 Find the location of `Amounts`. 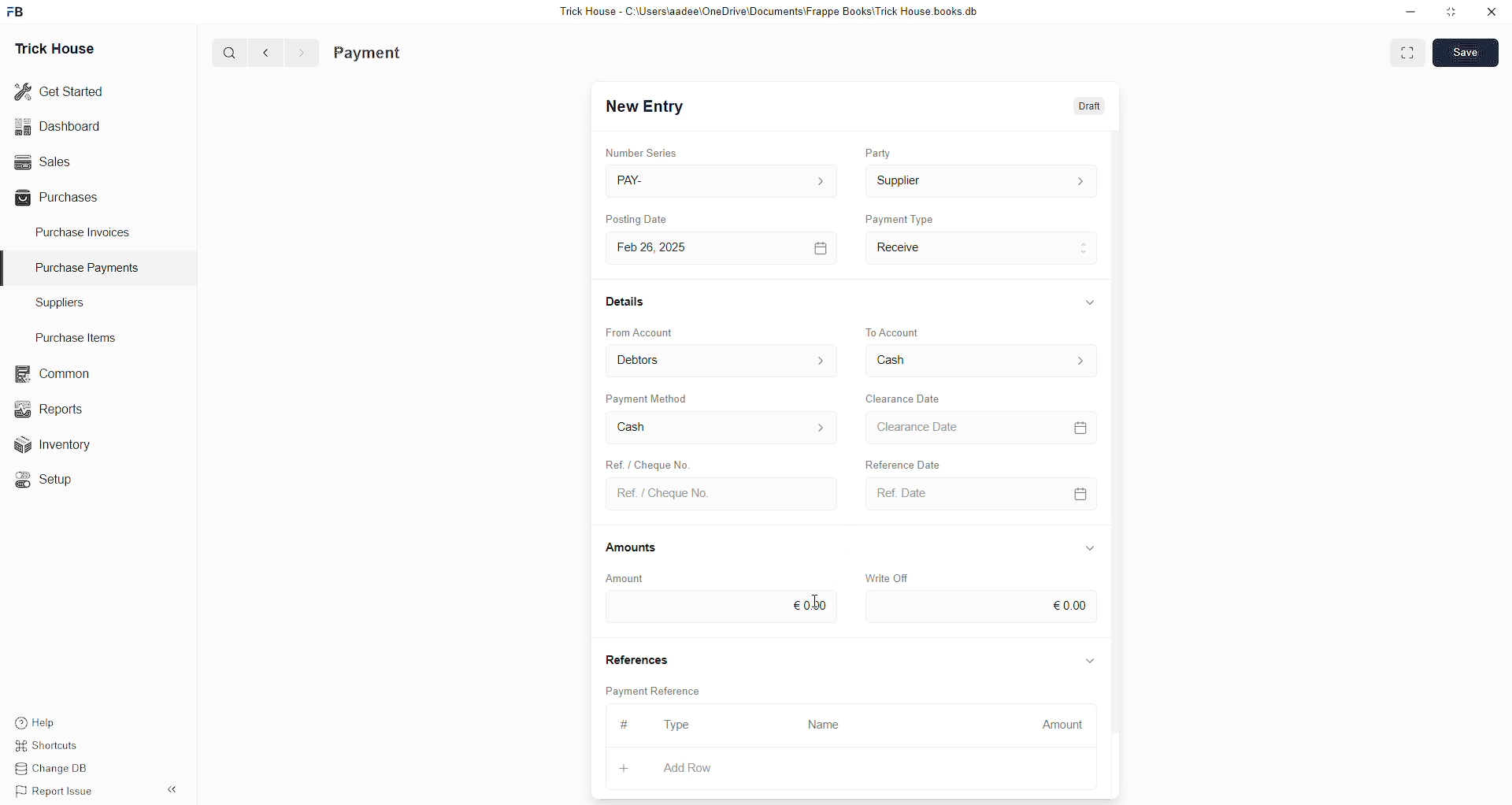

Amounts is located at coordinates (637, 547).